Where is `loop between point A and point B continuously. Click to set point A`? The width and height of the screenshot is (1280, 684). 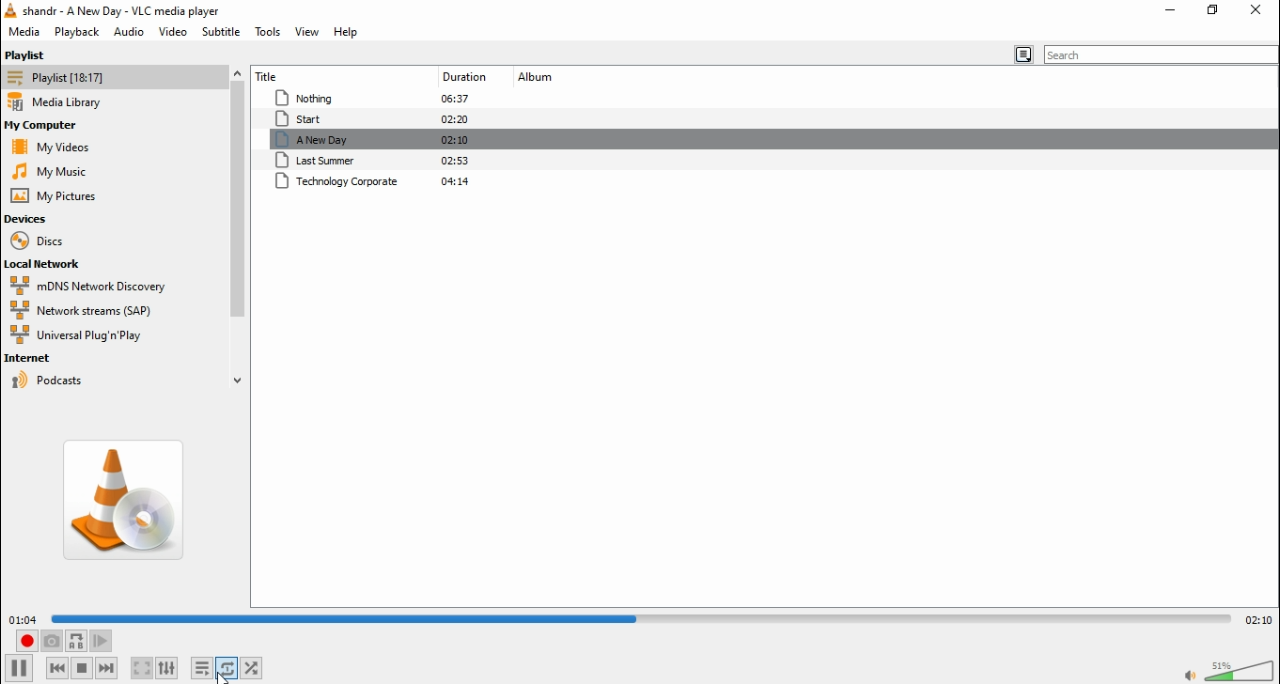
loop between point A and point B continuously. Click to set point A is located at coordinates (77, 640).